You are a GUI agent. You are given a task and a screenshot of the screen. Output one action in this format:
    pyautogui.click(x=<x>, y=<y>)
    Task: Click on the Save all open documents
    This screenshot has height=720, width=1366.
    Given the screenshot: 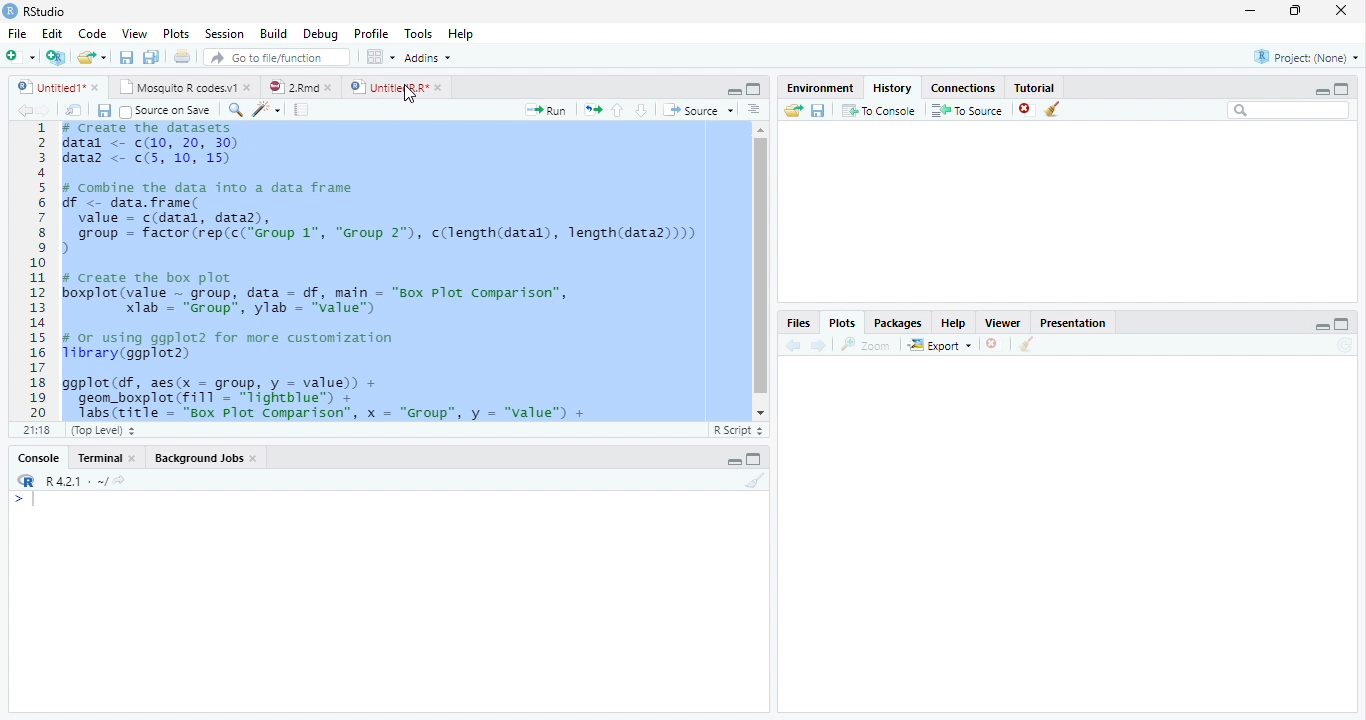 What is the action you would take?
    pyautogui.click(x=151, y=56)
    